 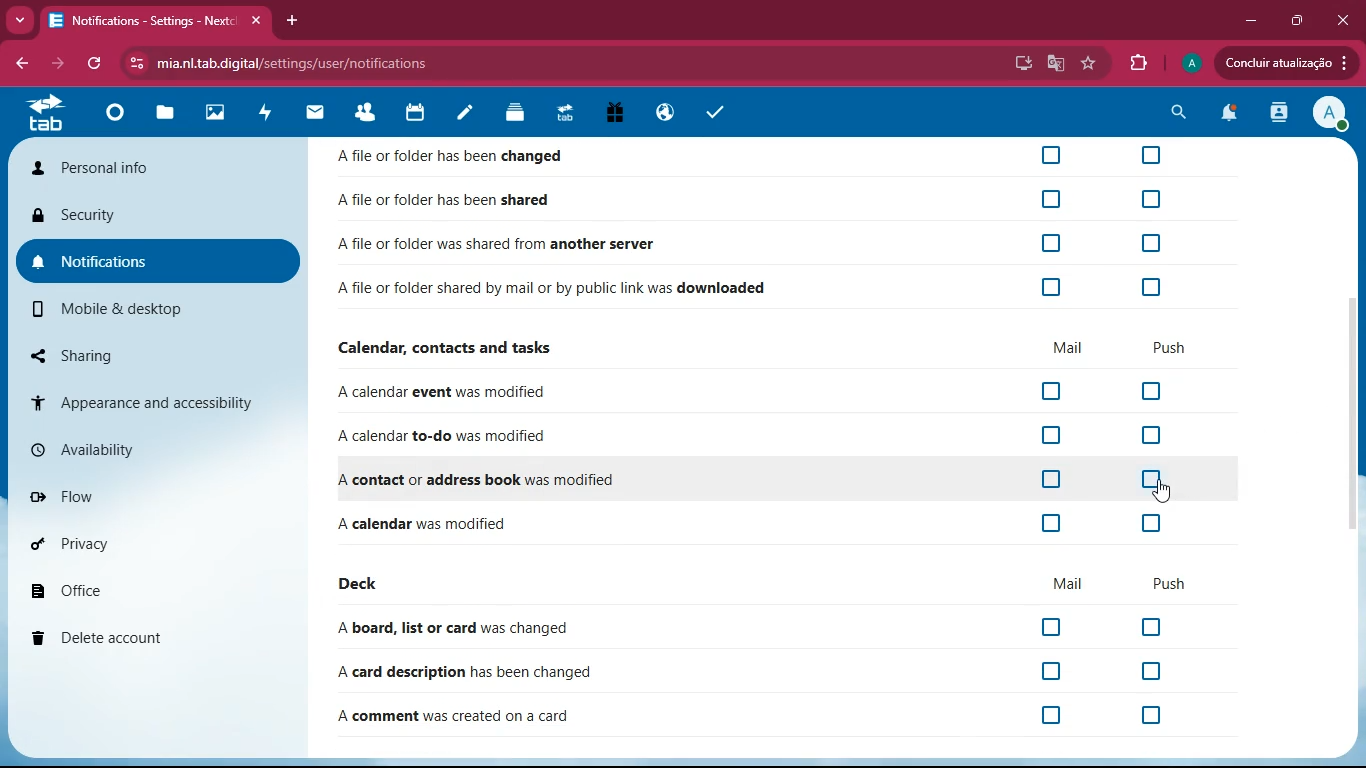 What do you see at coordinates (147, 448) in the screenshot?
I see `availability` at bounding box center [147, 448].